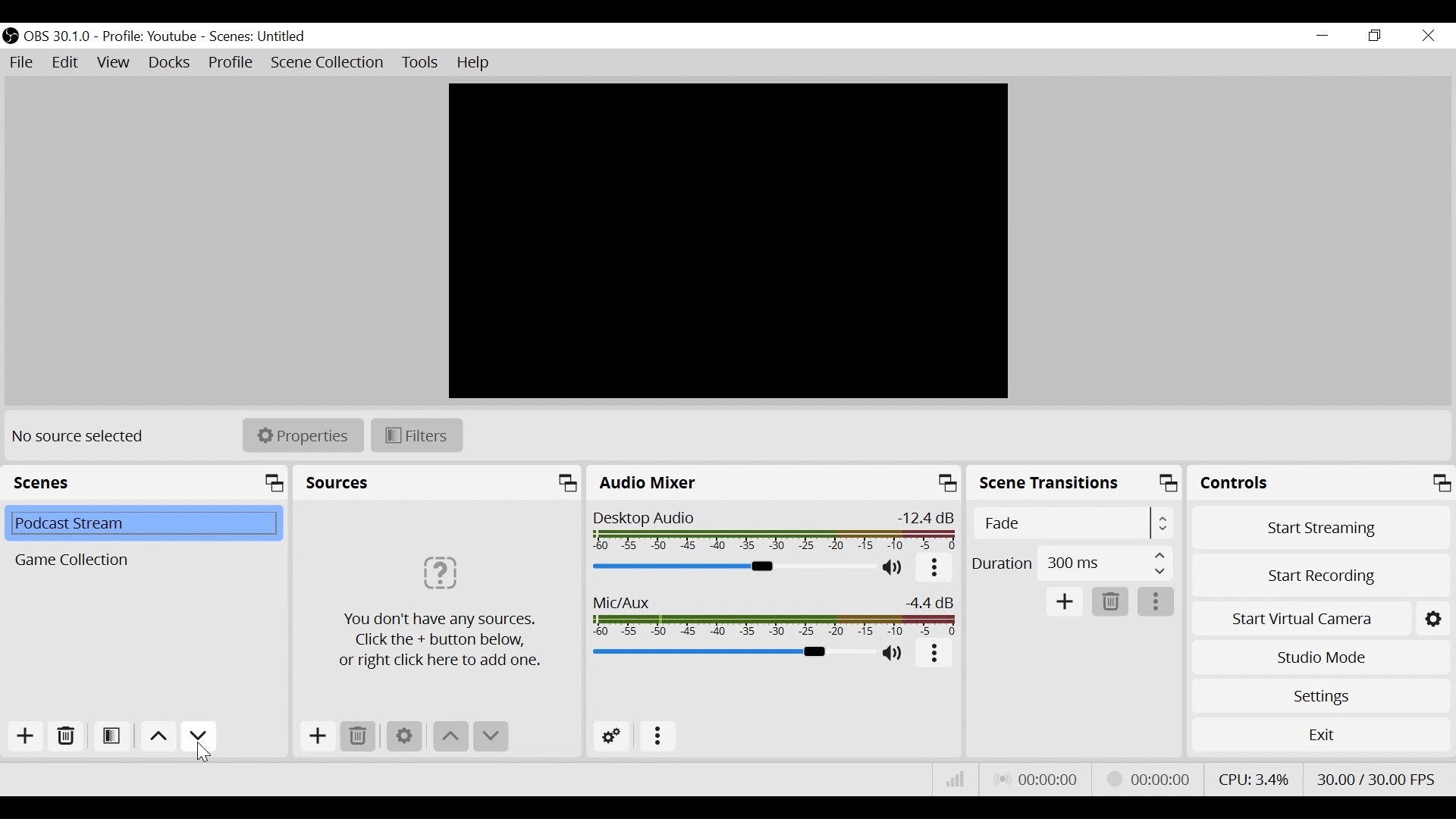  Describe the element at coordinates (140, 558) in the screenshot. I see `Scene ` at that location.